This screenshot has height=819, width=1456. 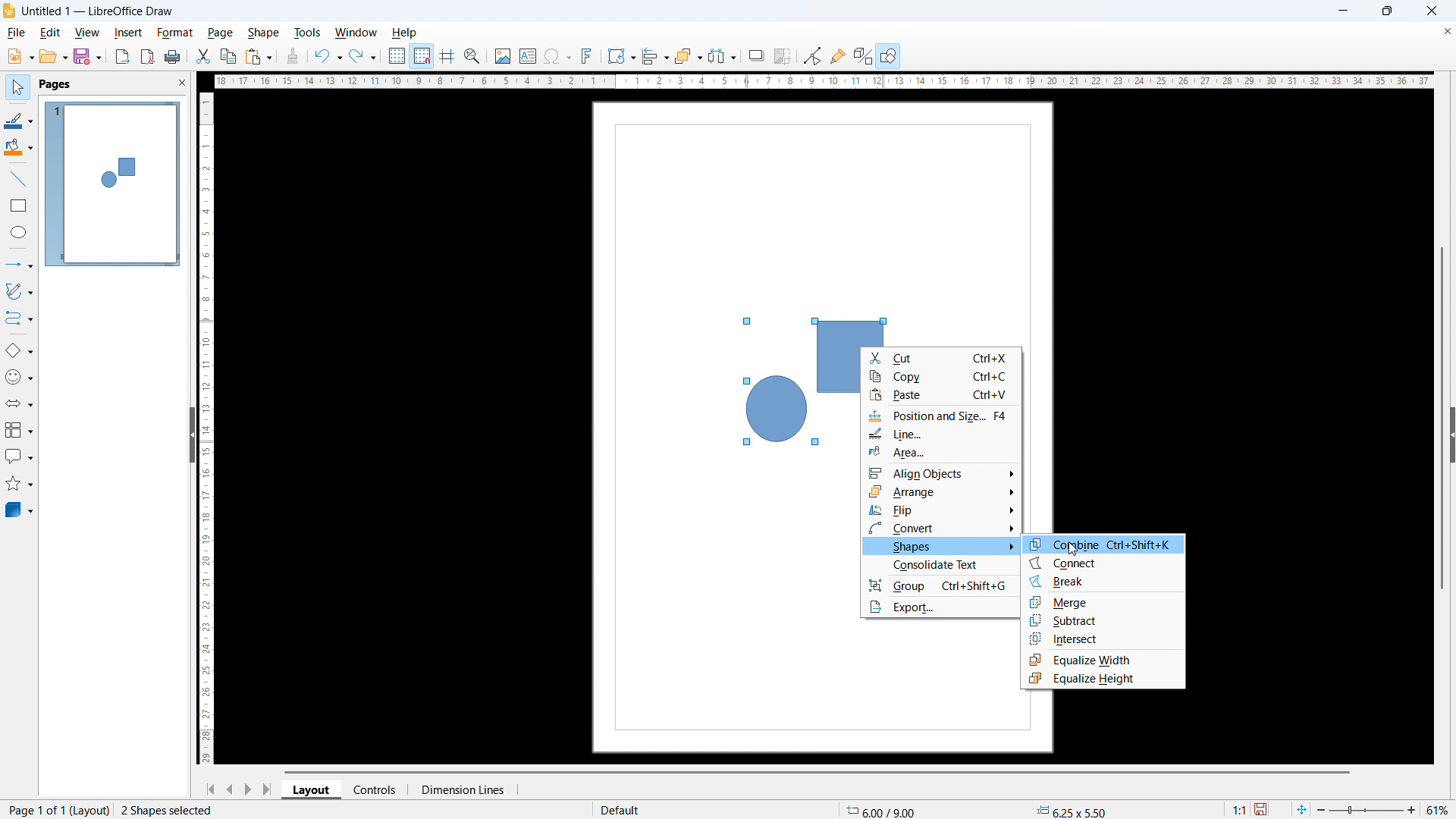 I want to click on symbol shapes, so click(x=19, y=377).